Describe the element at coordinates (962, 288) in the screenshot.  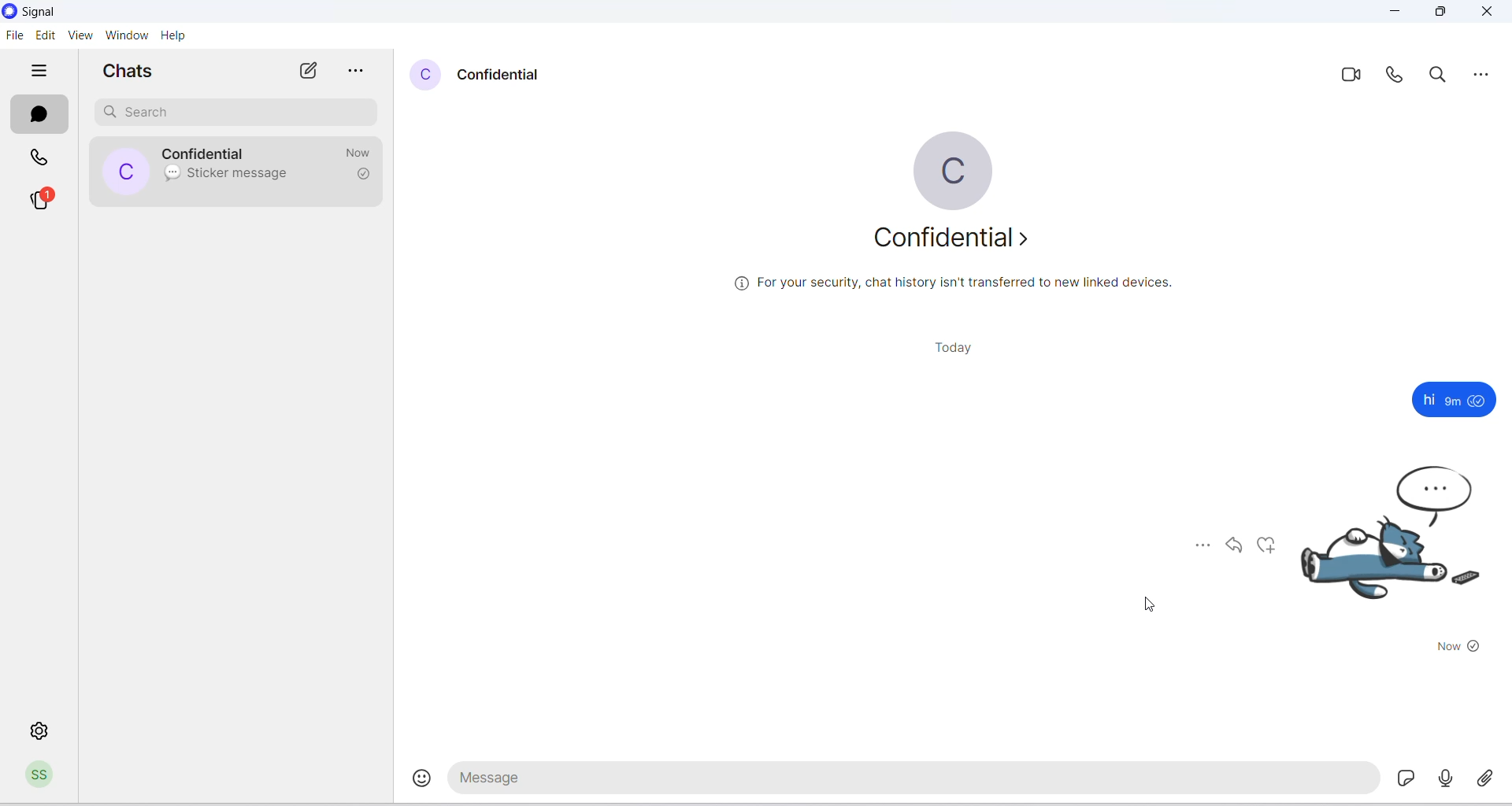
I see `security related text` at that location.